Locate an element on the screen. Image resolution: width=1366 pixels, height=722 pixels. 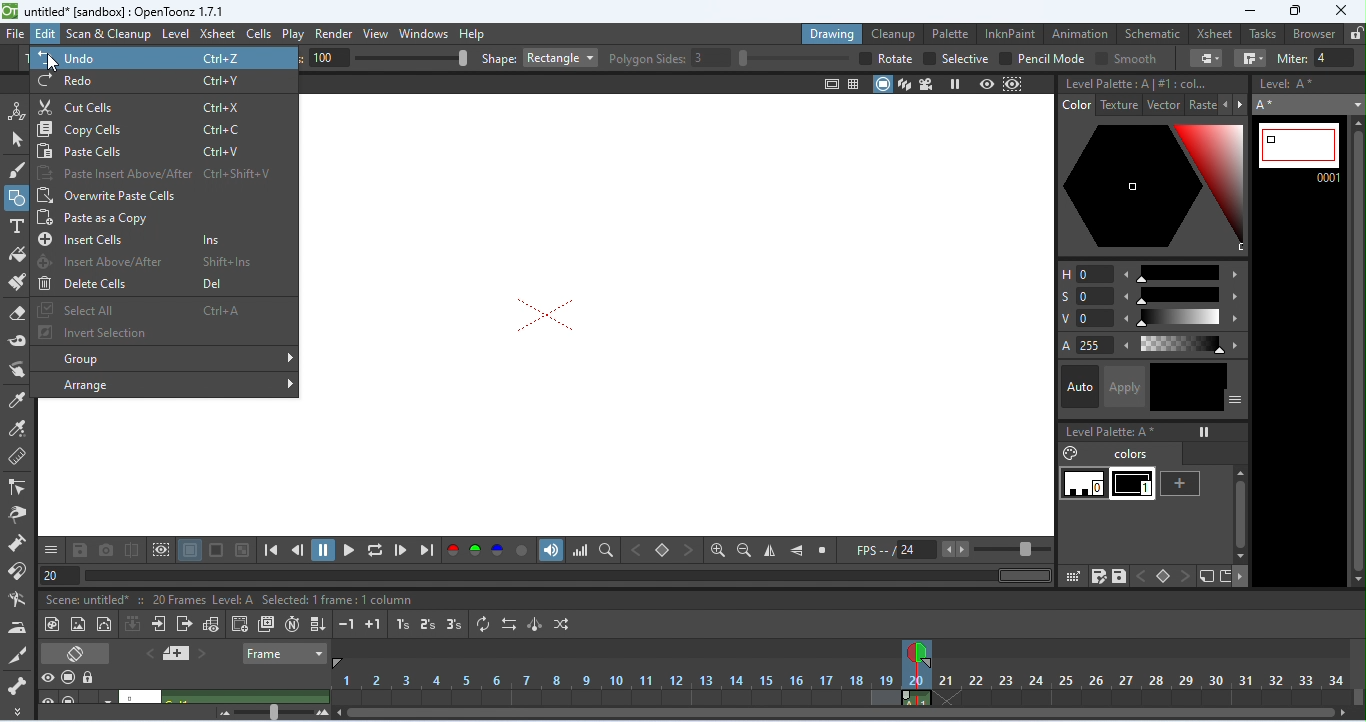
tasks is located at coordinates (1264, 35).